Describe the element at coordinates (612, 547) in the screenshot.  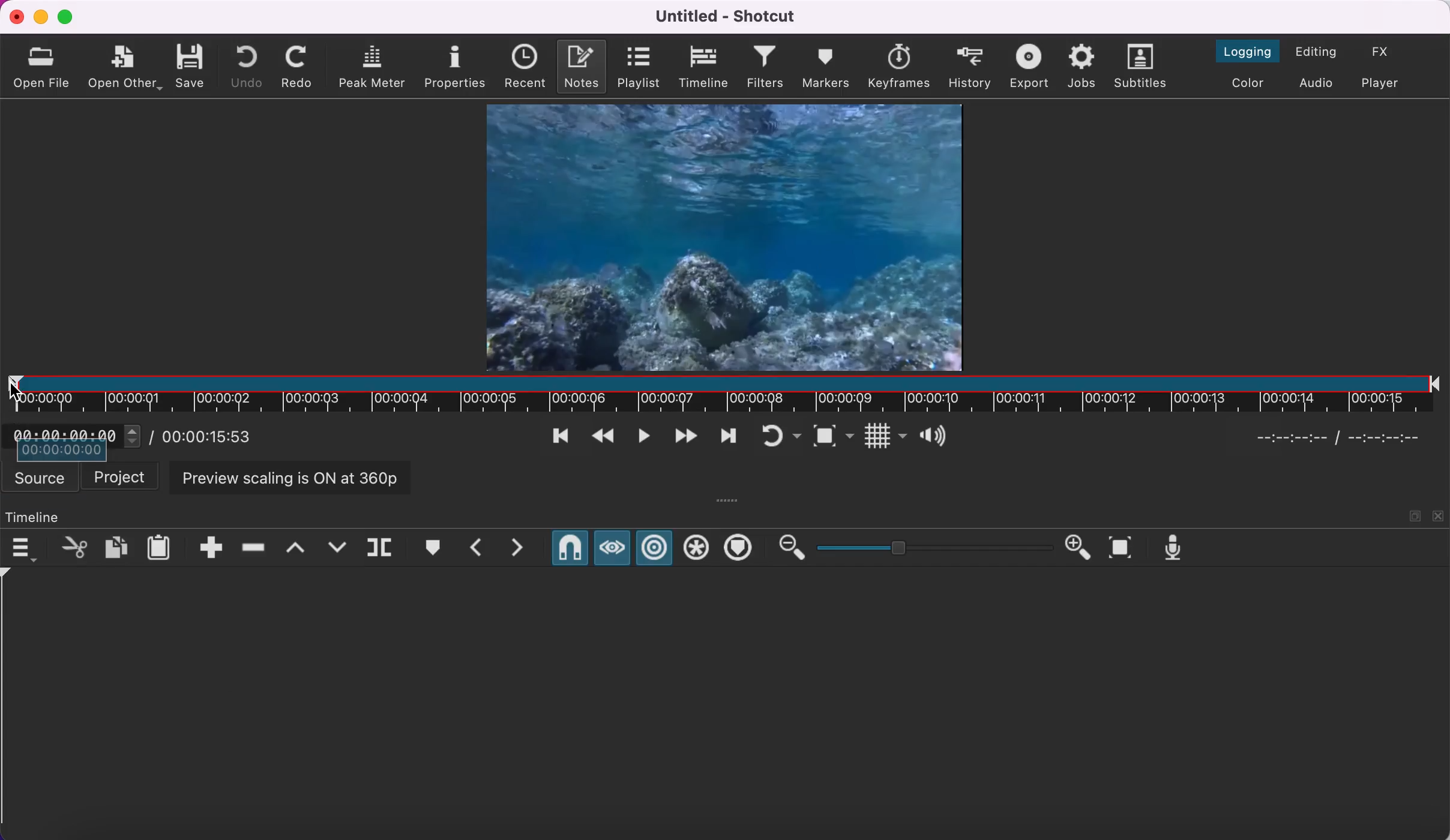
I see `scrub while dragging` at that location.